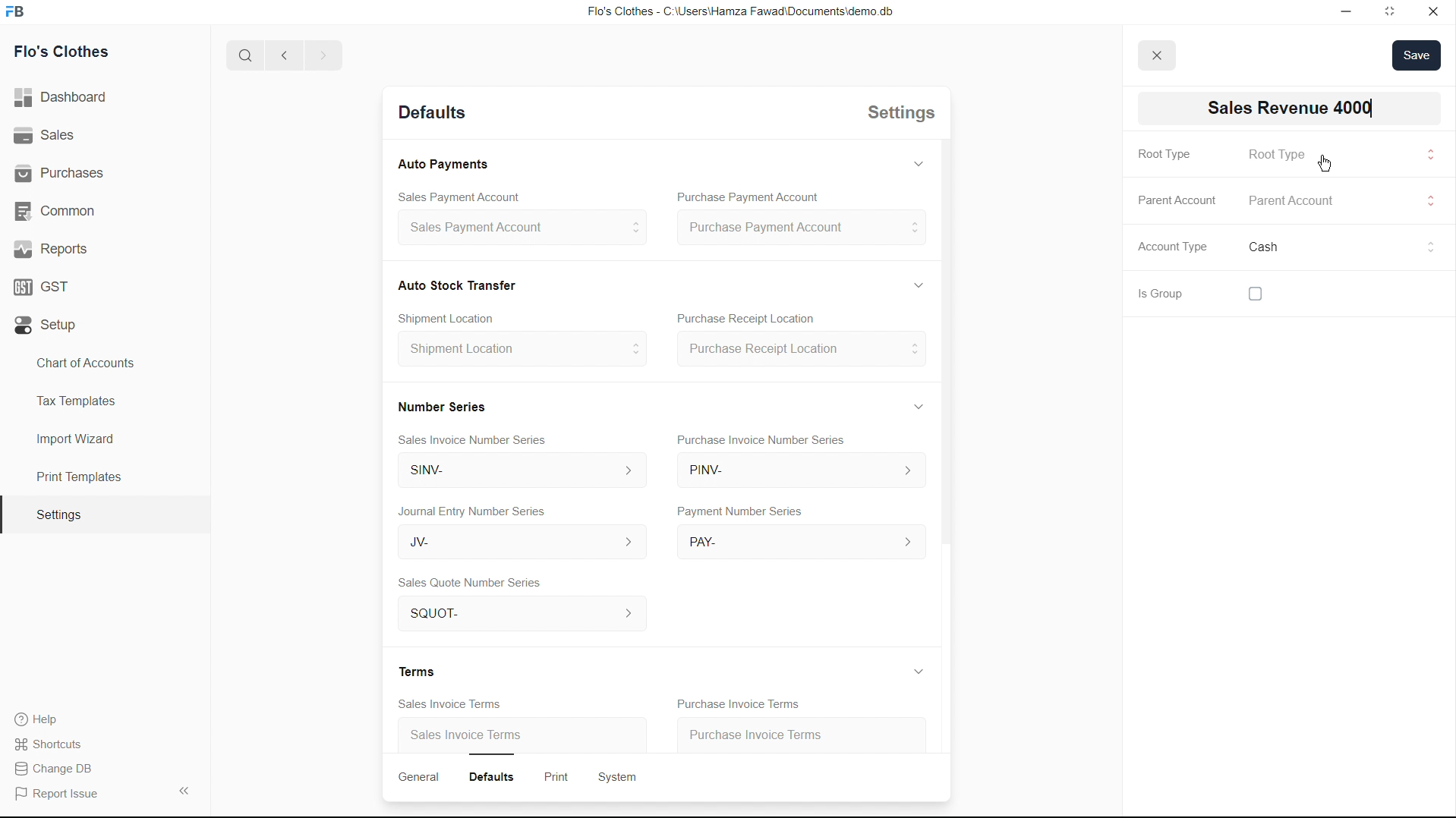 The height and width of the screenshot is (818, 1456). Describe the element at coordinates (515, 472) in the screenshot. I see `SINV-` at that location.